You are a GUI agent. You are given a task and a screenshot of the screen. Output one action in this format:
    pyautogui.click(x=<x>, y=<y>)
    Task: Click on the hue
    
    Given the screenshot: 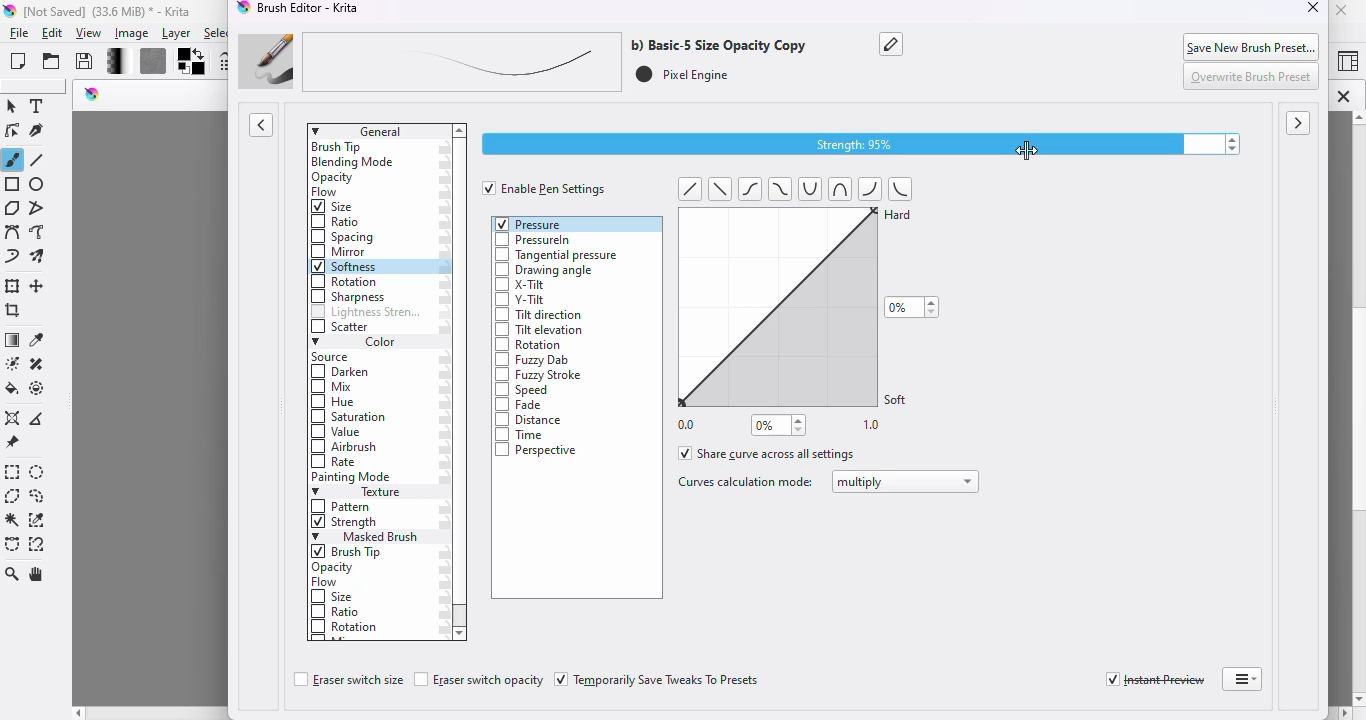 What is the action you would take?
    pyautogui.click(x=333, y=403)
    